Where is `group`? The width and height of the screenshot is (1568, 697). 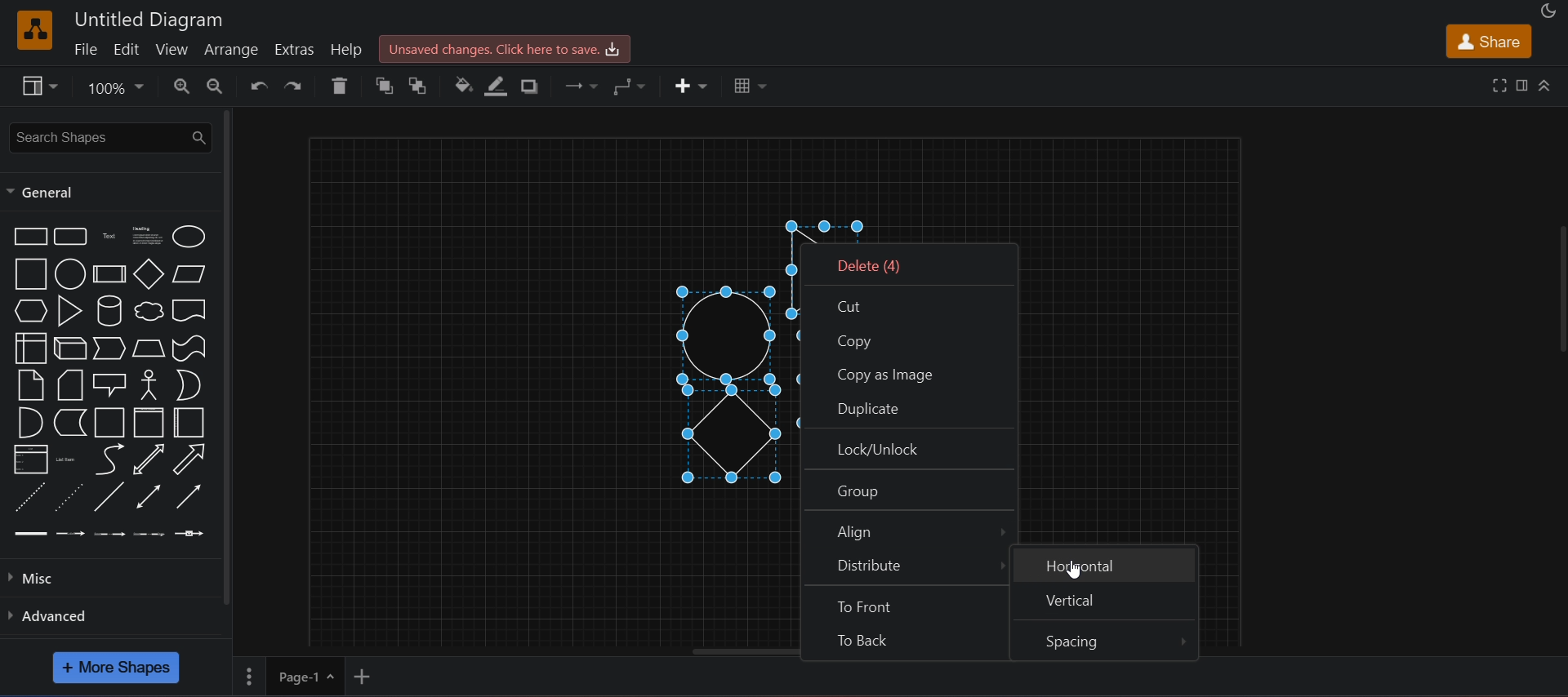
group is located at coordinates (909, 491).